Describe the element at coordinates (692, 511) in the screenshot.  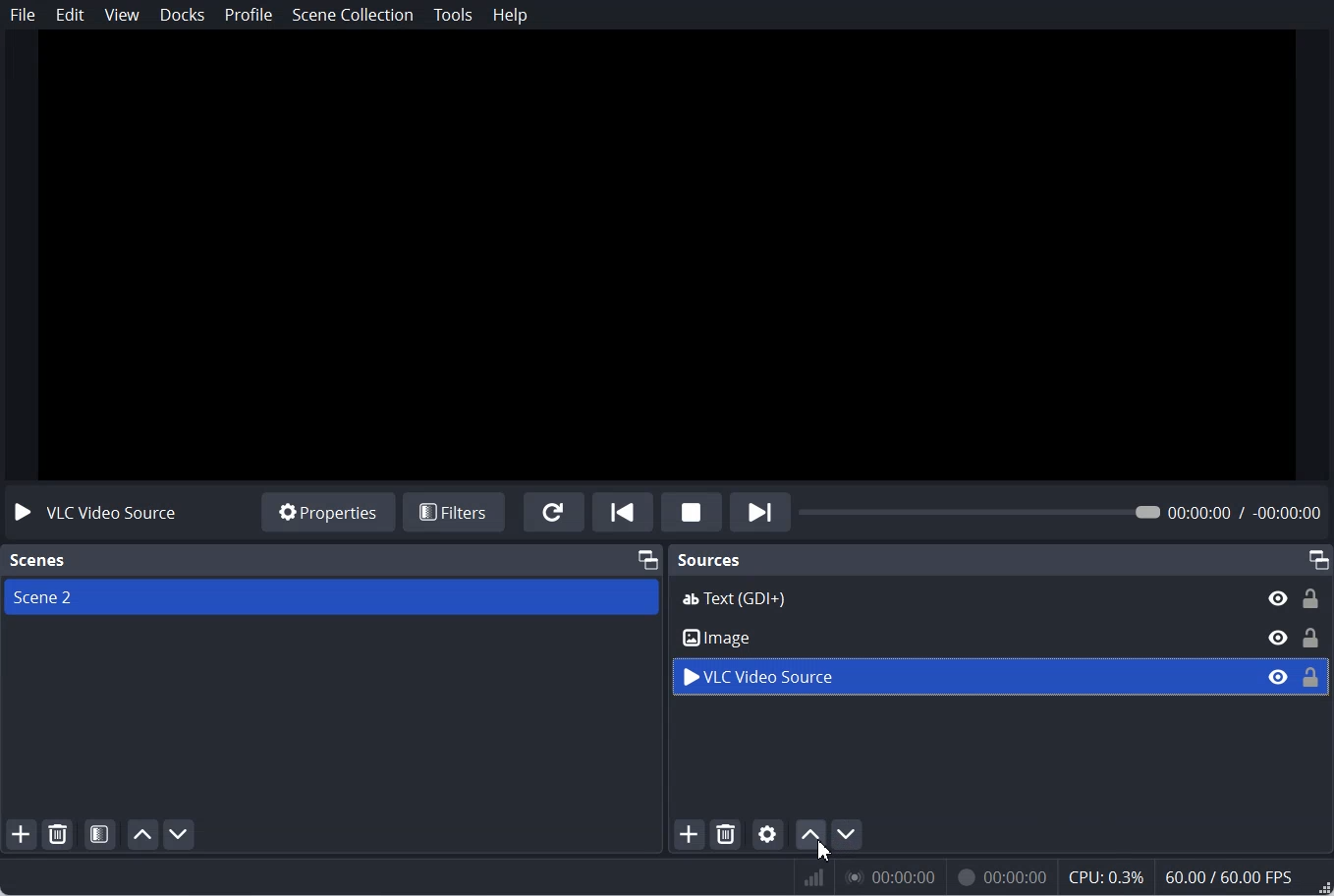
I see `Stop media` at that location.